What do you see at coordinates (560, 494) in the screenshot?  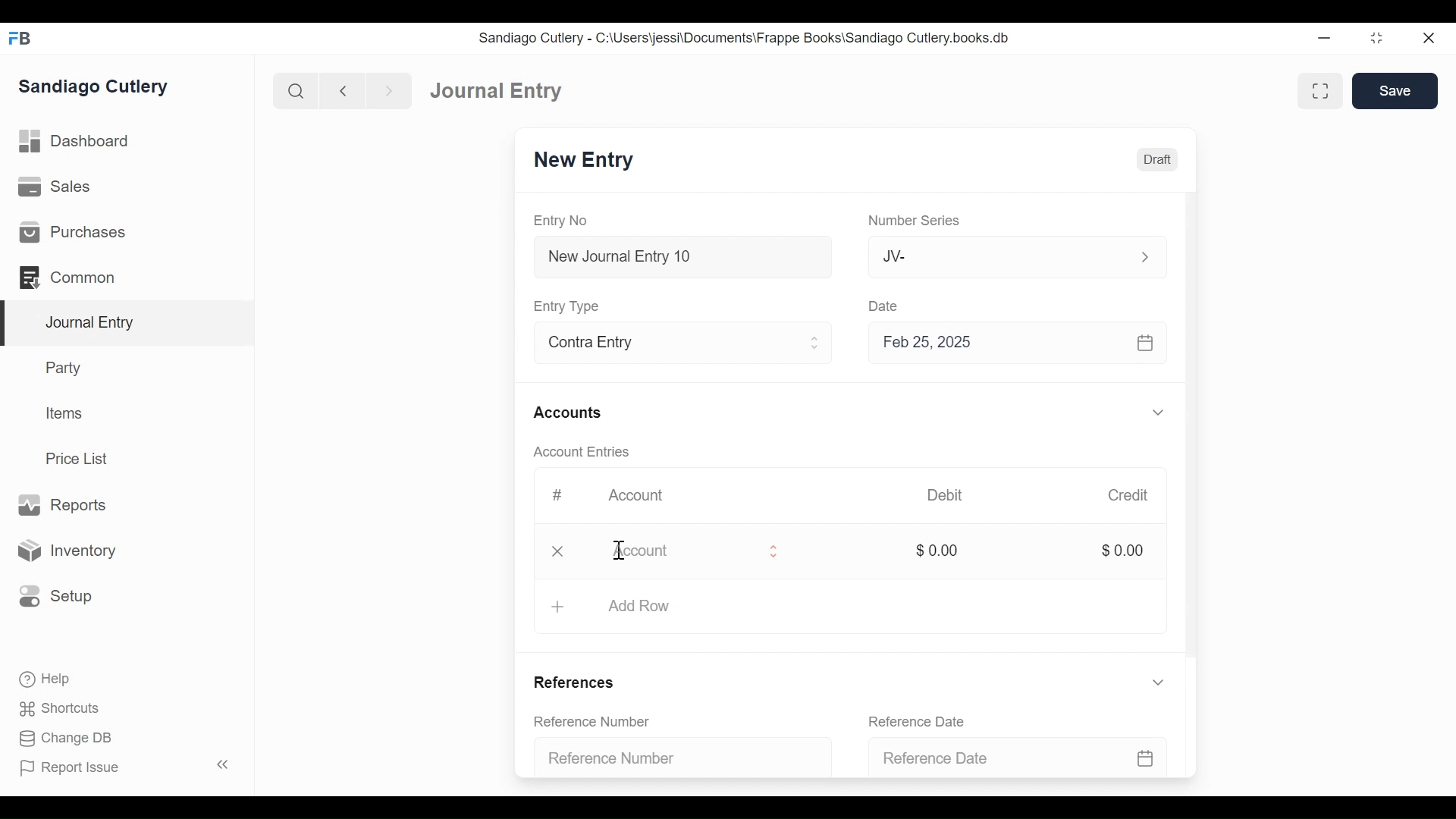 I see `#` at bounding box center [560, 494].